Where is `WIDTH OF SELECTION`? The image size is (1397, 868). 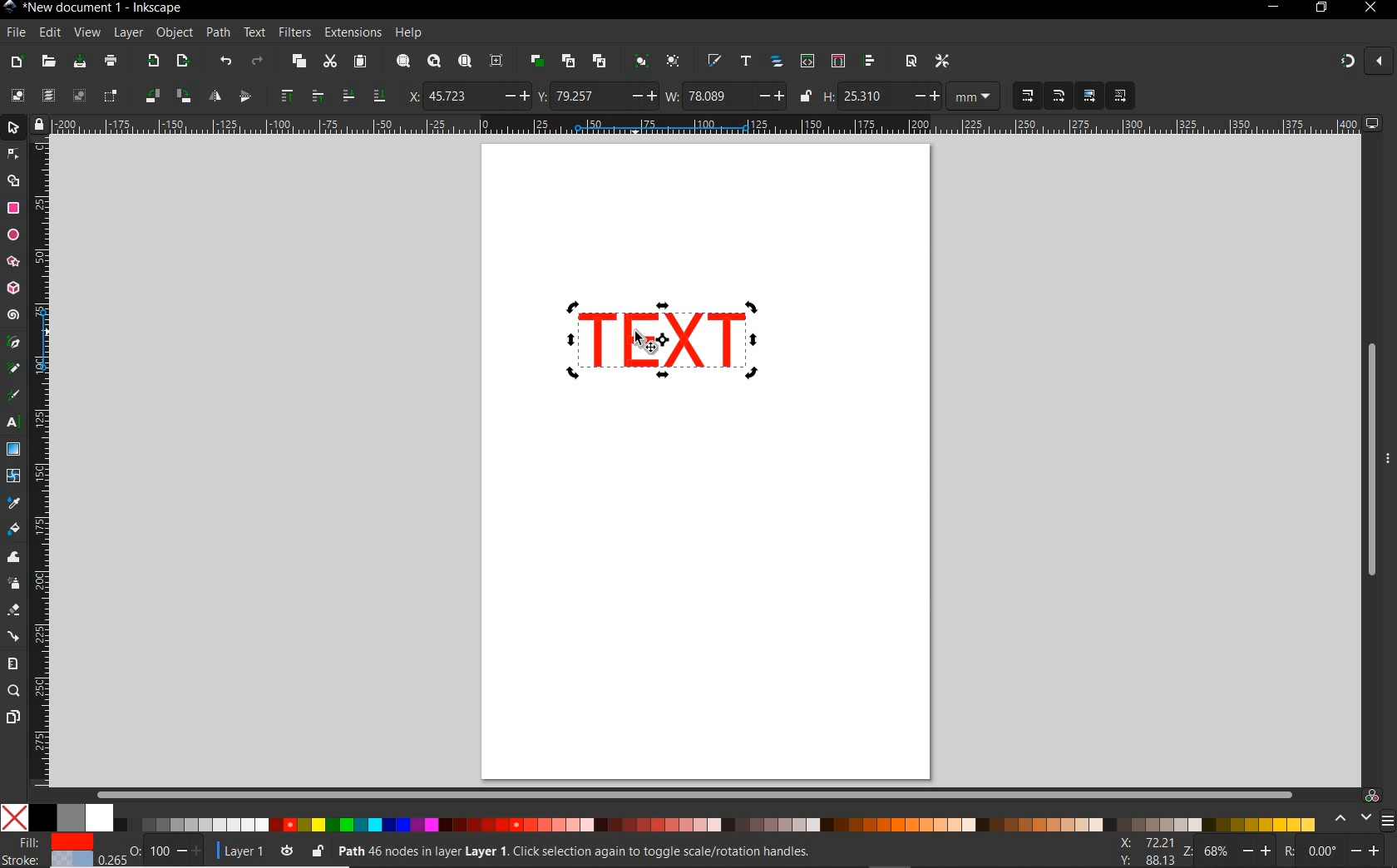
WIDTH OF SELECTION is located at coordinates (725, 96).